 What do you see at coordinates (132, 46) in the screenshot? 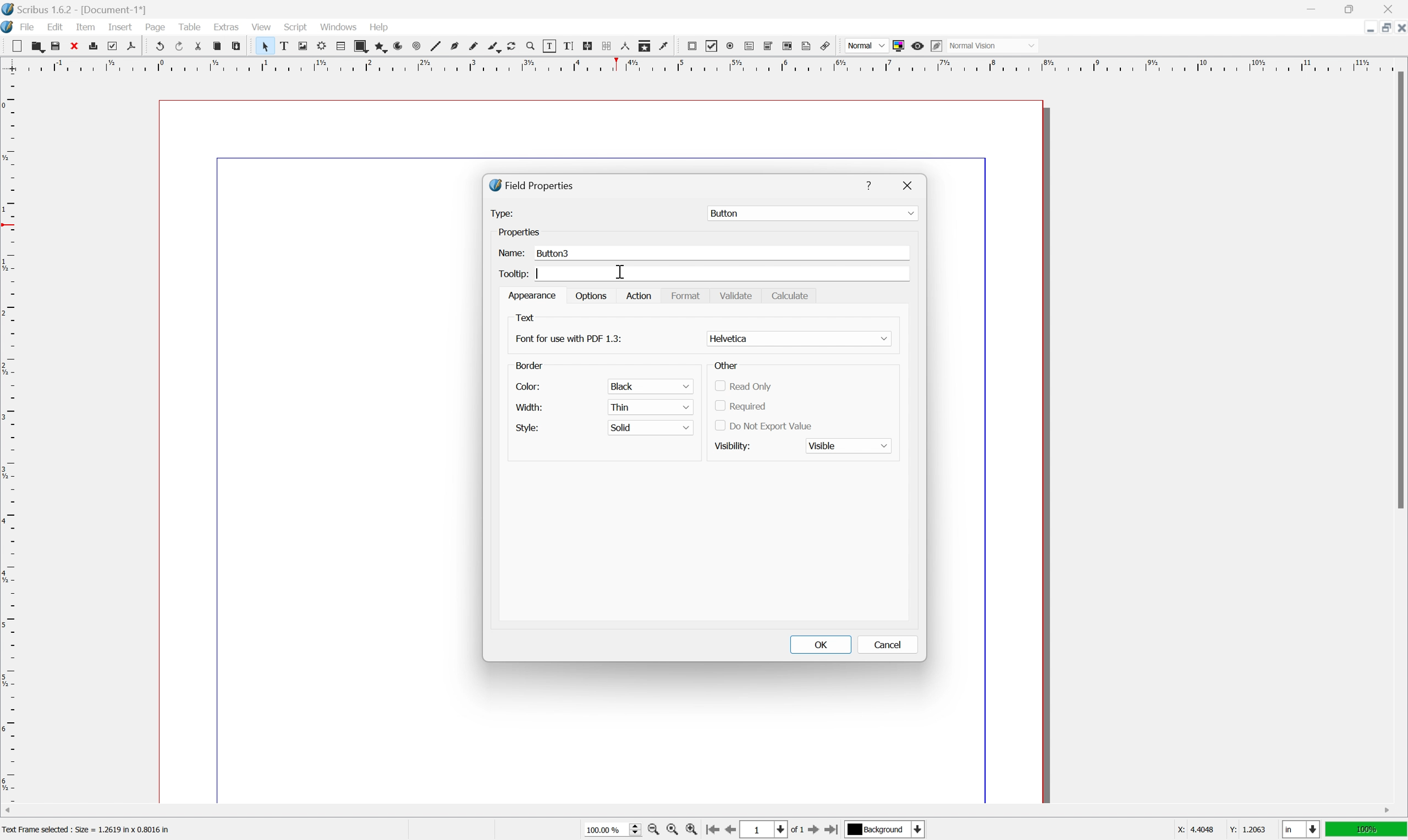
I see `save as pdf` at bounding box center [132, 46].